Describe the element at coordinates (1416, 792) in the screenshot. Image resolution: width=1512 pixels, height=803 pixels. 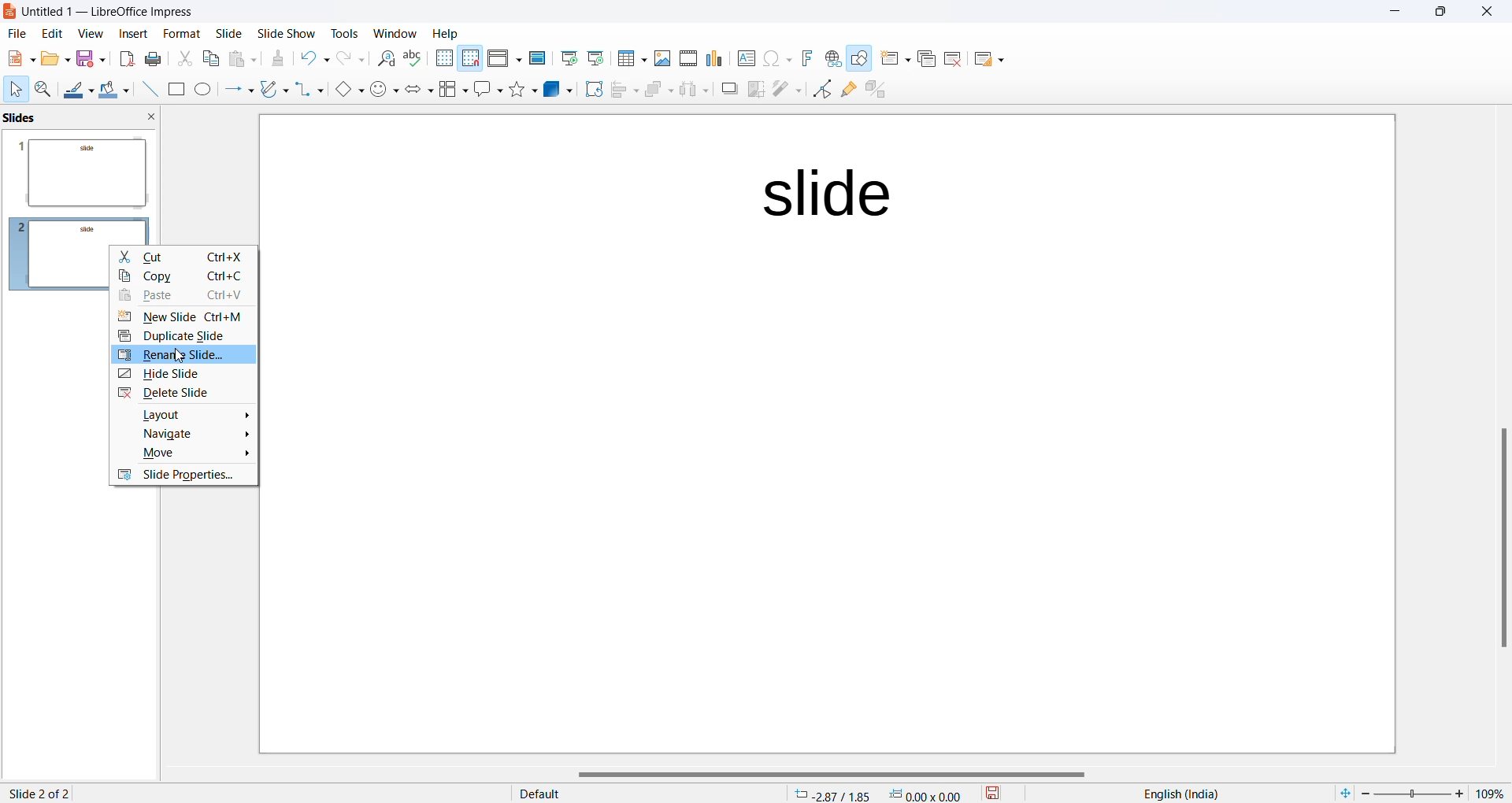
I see `zoom slider` at that location.